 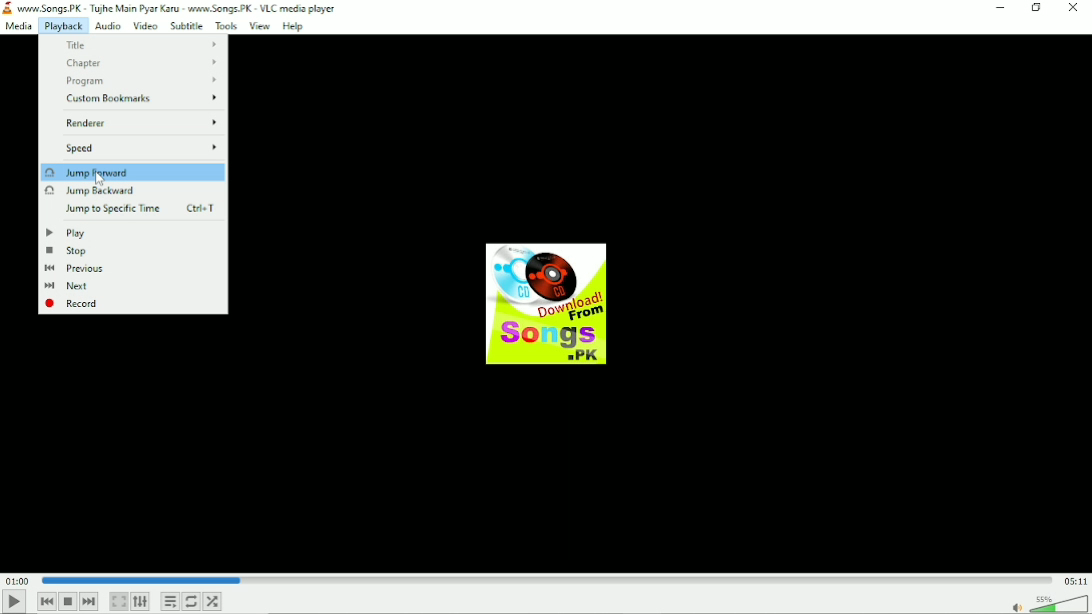 I want to click on Volume, so click(x=1047, y=602).